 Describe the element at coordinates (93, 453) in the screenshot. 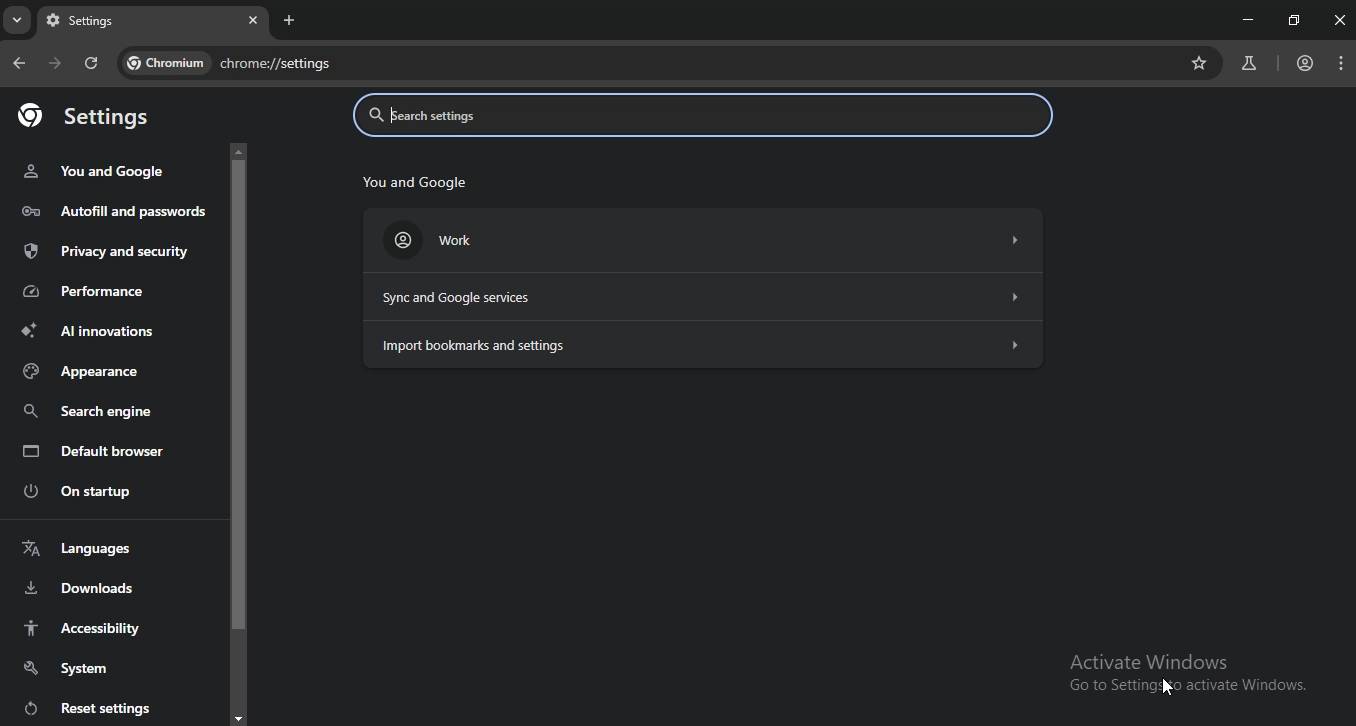

I see `Default browser` at that location.